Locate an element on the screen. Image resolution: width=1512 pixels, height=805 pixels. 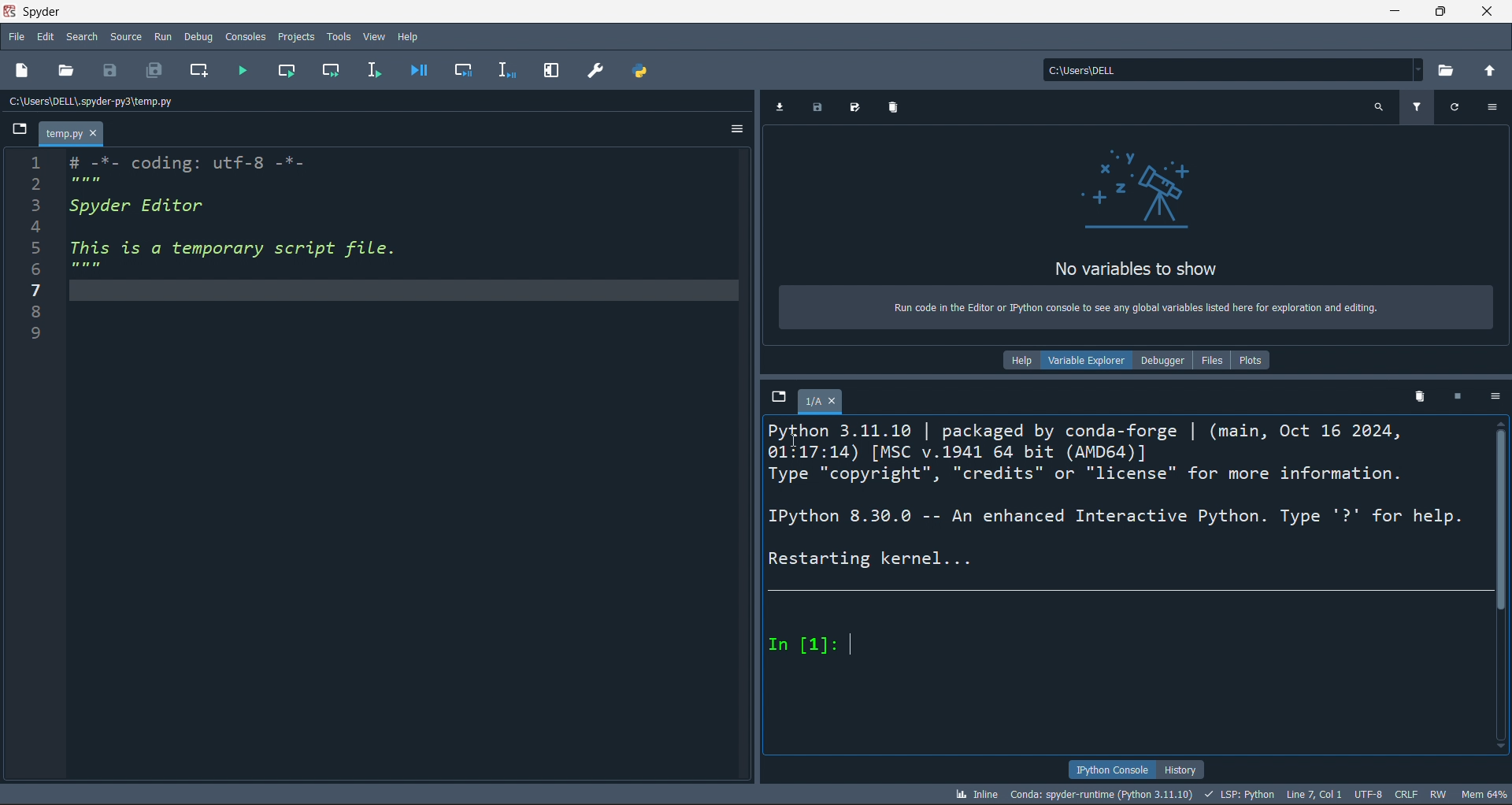
Run is located at coordinates (165, 38).